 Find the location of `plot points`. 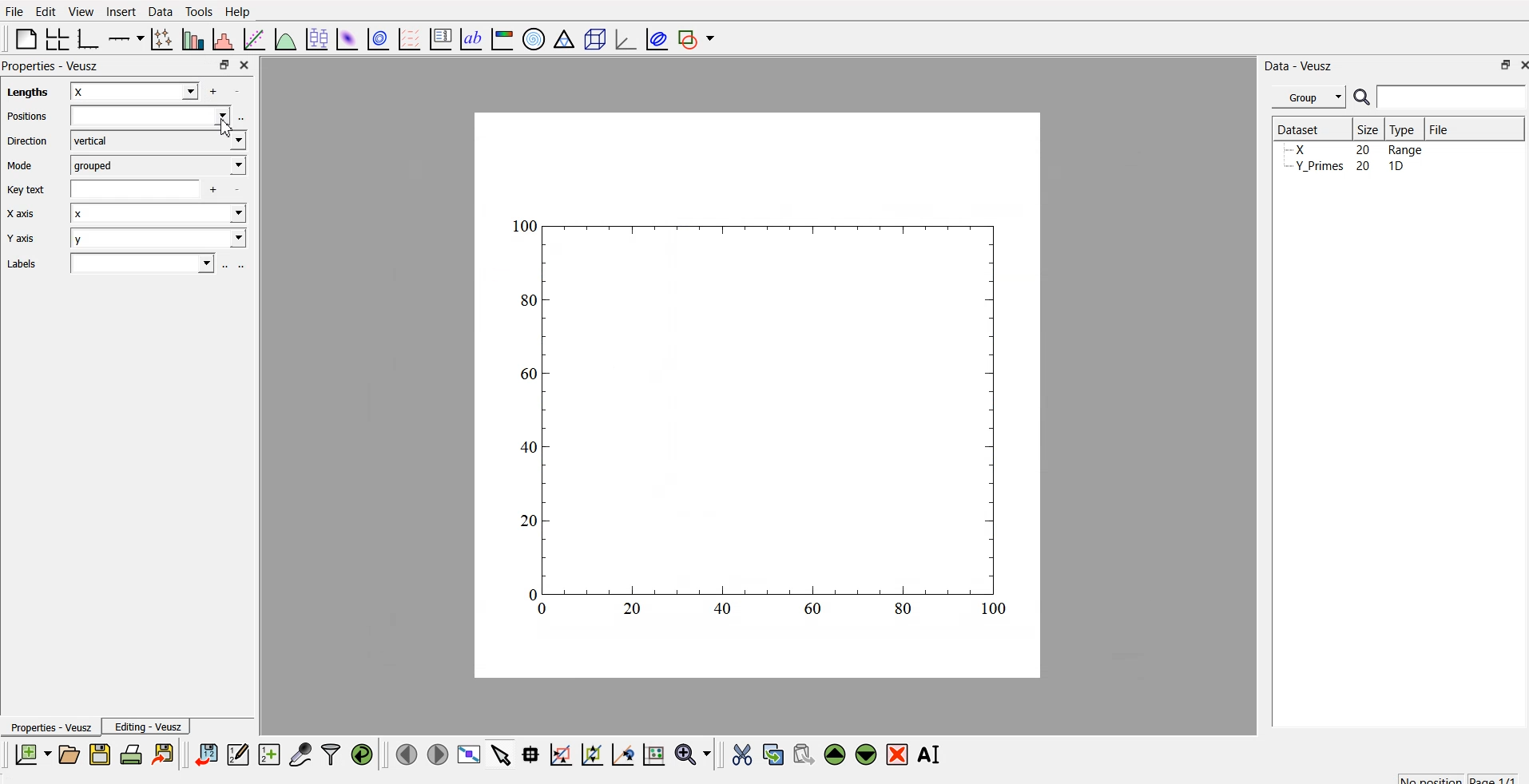

plot points is located at coordinates (158, 38).